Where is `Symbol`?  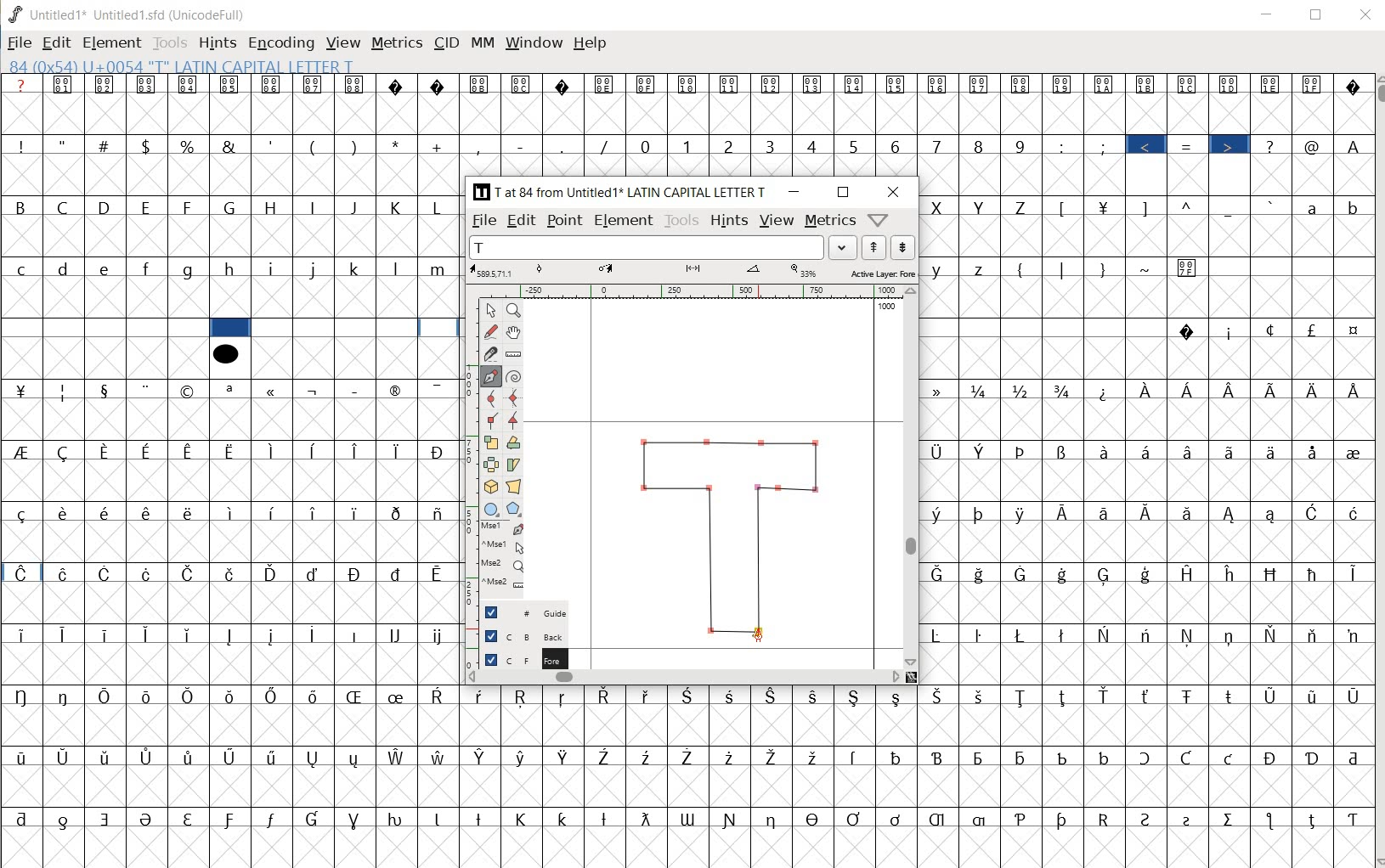 Symbol is located at coordinates (190, 451).